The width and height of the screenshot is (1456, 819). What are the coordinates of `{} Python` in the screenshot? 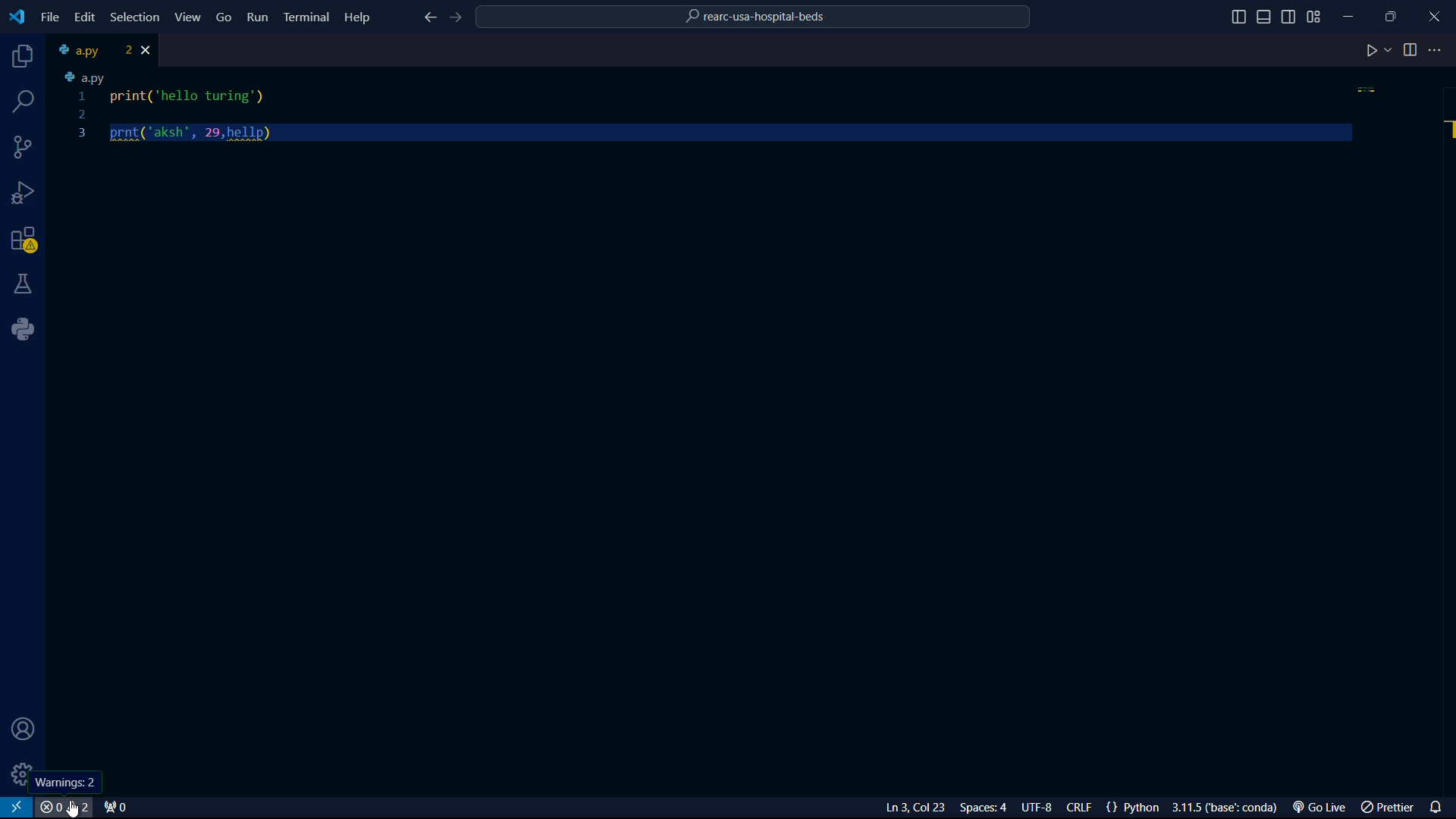 It's located at (1135, 808).